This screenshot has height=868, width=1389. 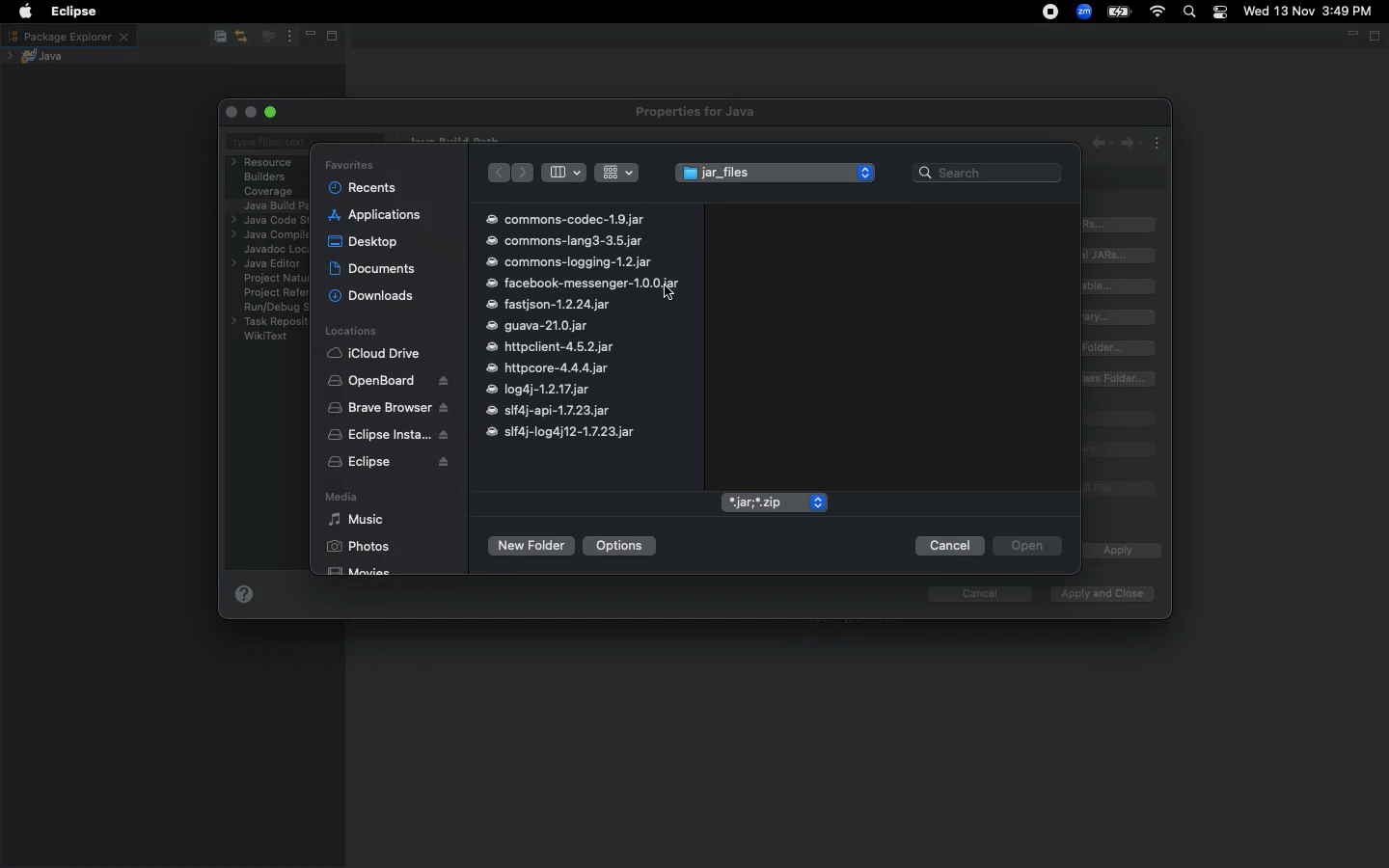 I want to click on Link with editor, so click(x=242, y=36).